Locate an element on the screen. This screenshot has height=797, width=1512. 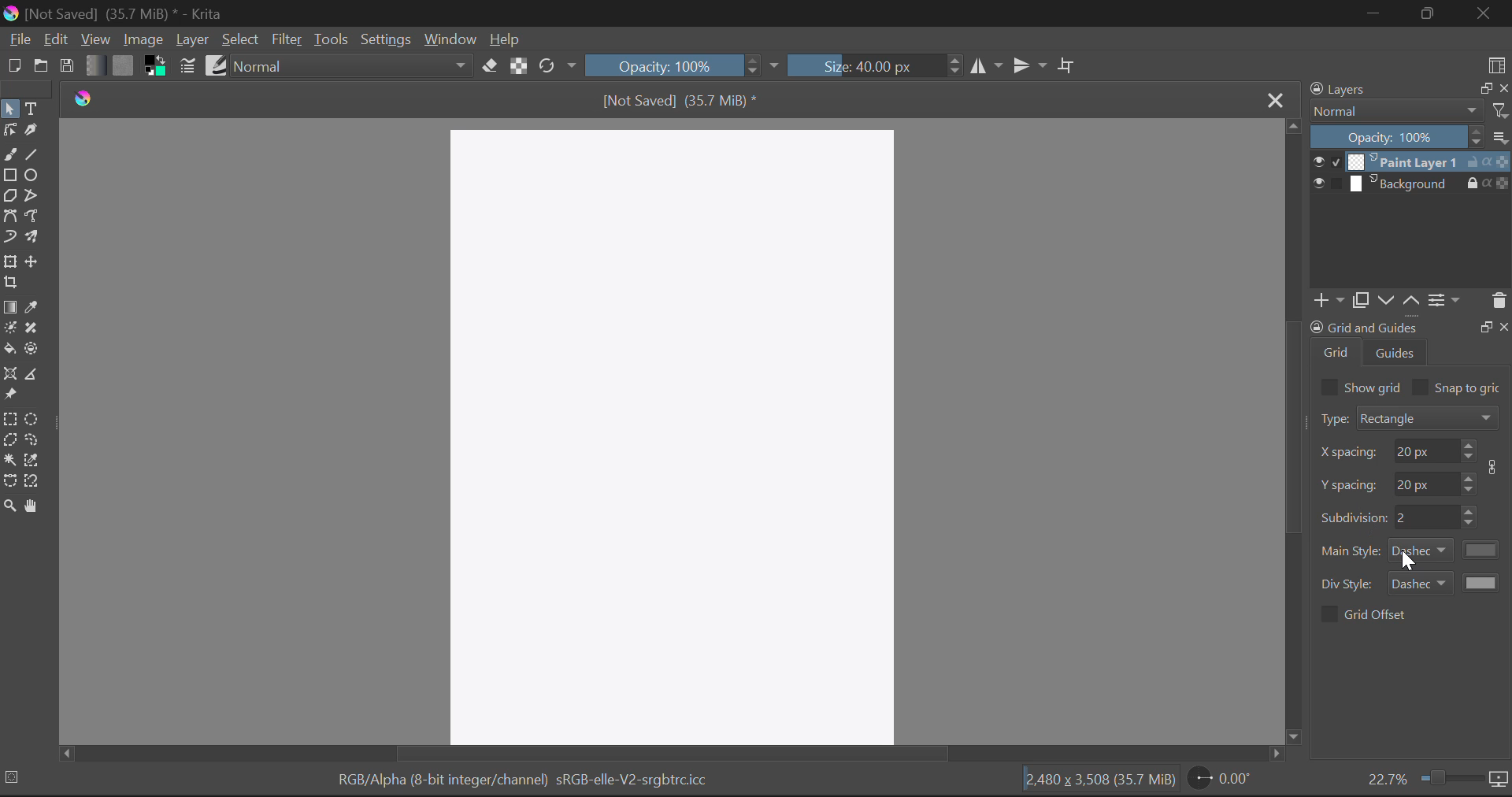
Smart Patch Tool is located at coordinates (31, 329).